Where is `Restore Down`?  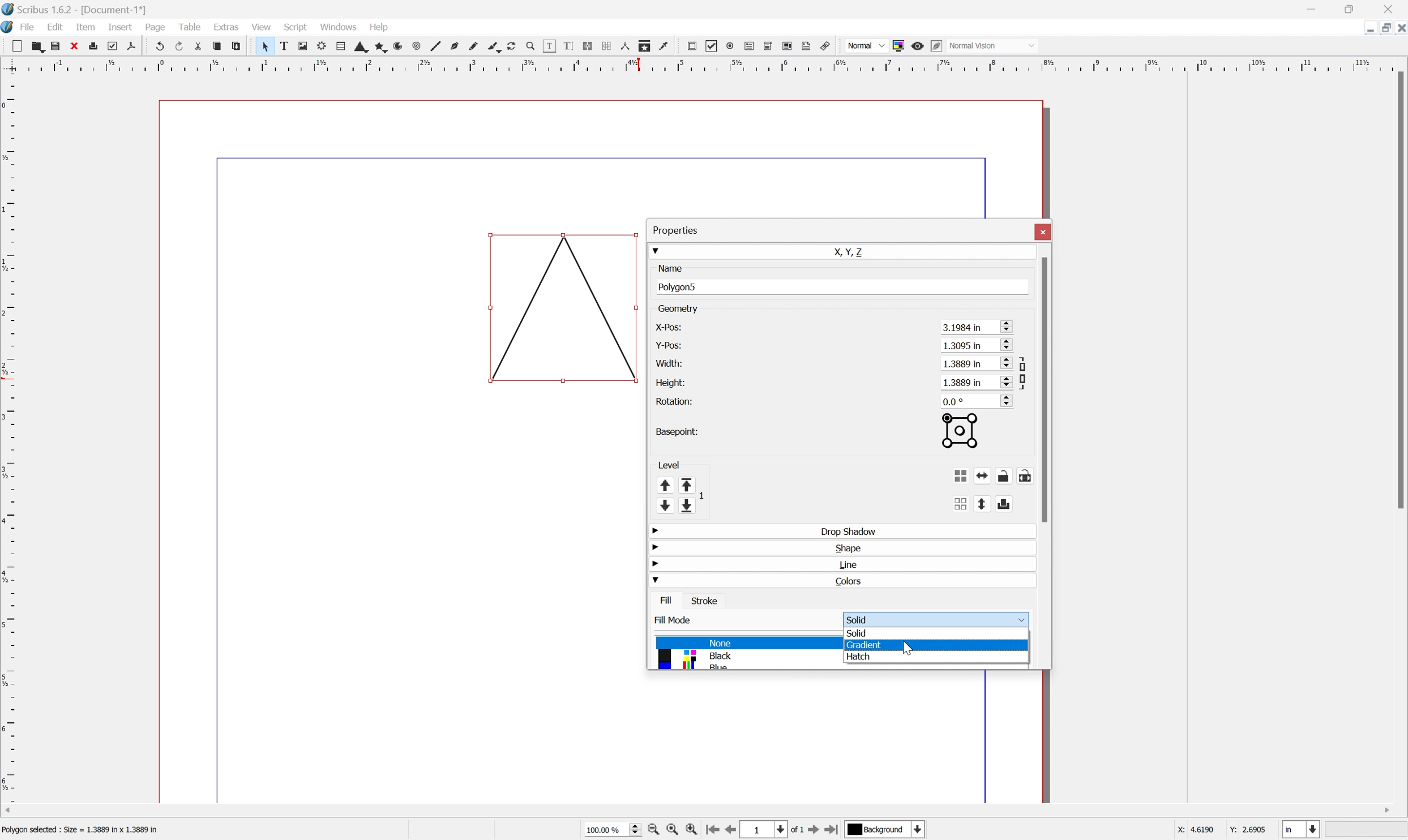 Restore Down is located at coordinates (1354, 8).